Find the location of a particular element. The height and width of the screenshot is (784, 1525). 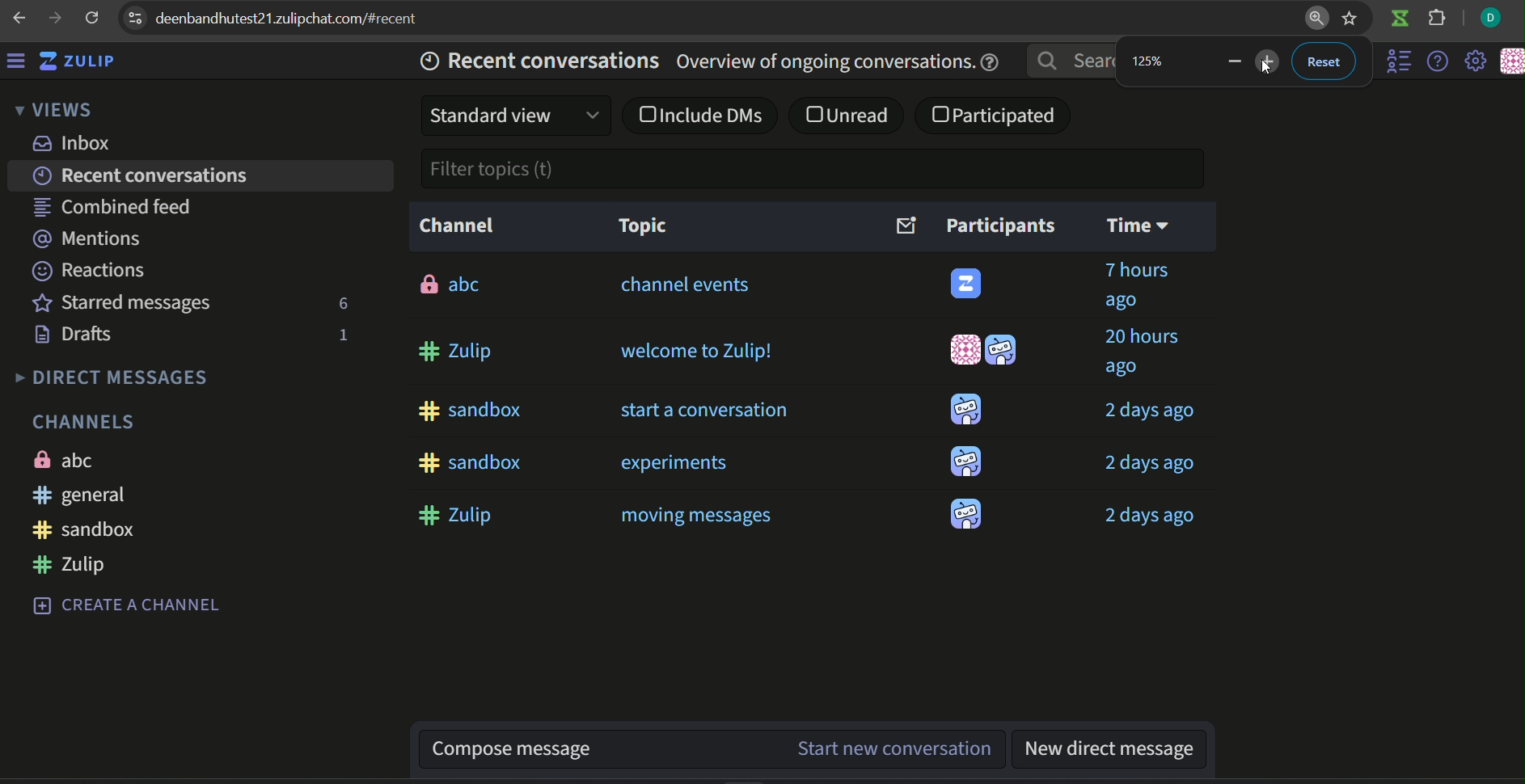

dropdown is located at coordinates (55, 112).